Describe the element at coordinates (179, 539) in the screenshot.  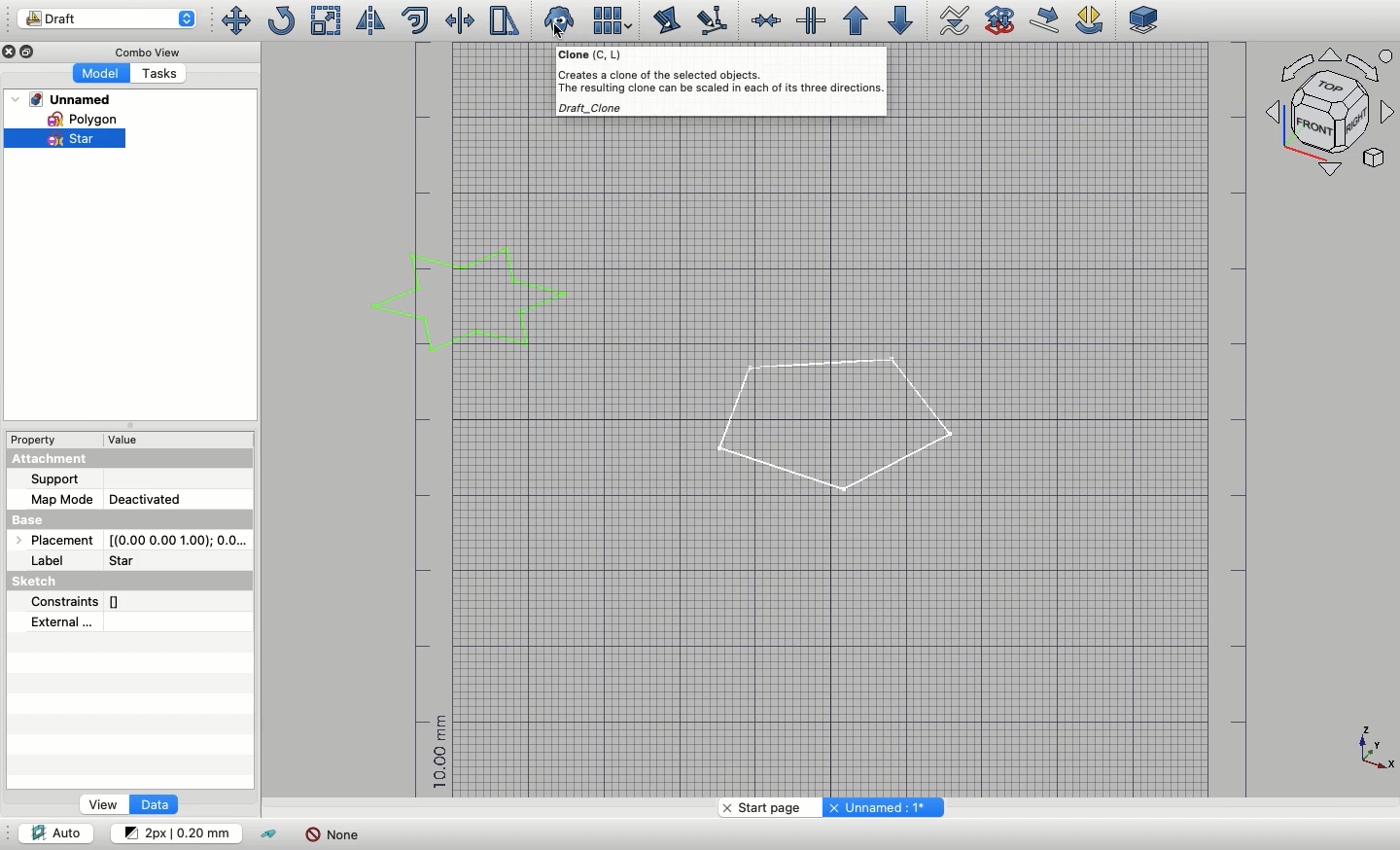
I see `Coordinates` at that location.